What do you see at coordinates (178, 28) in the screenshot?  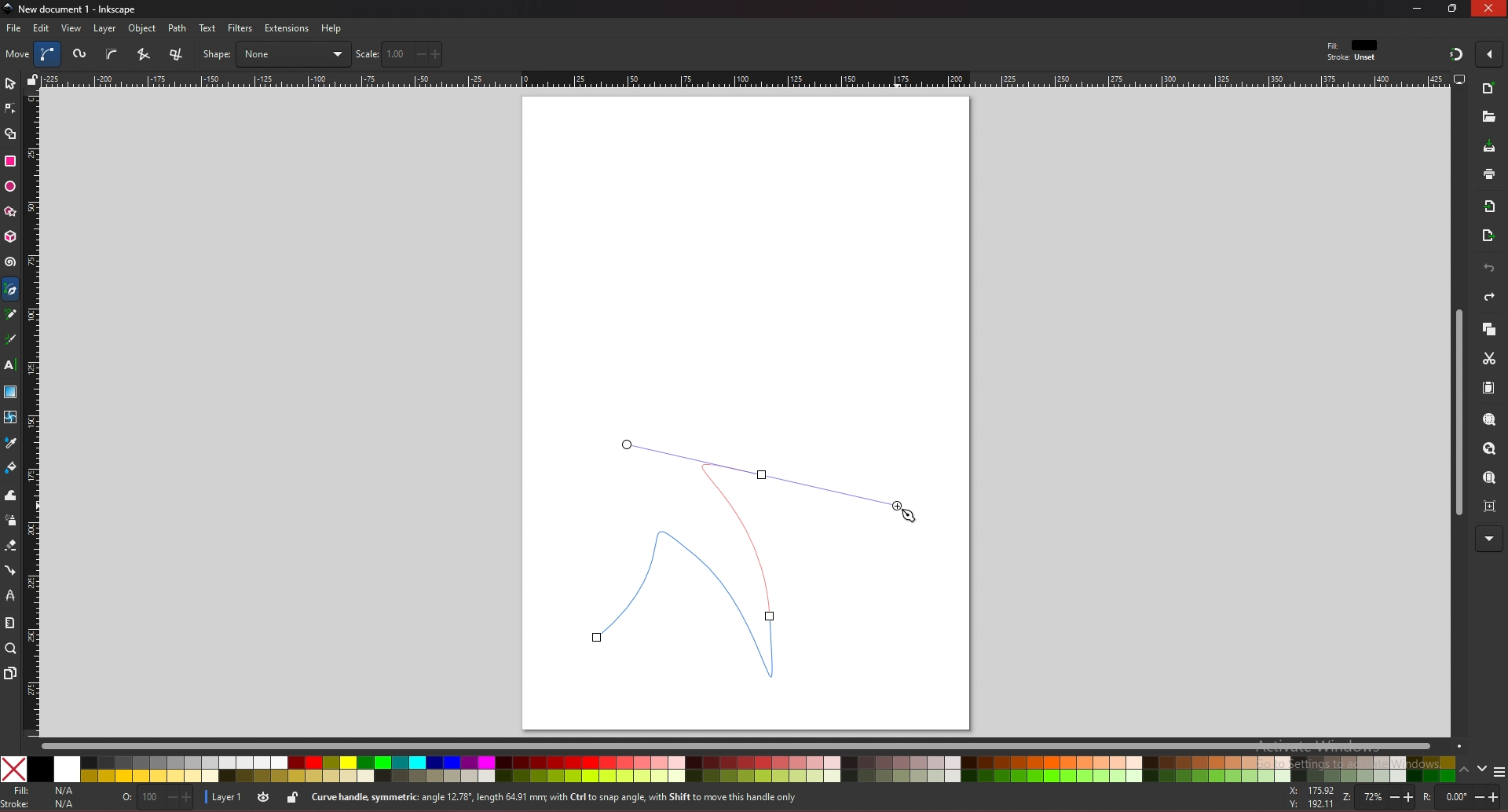 I see `path` at bounding box center [178, 28].